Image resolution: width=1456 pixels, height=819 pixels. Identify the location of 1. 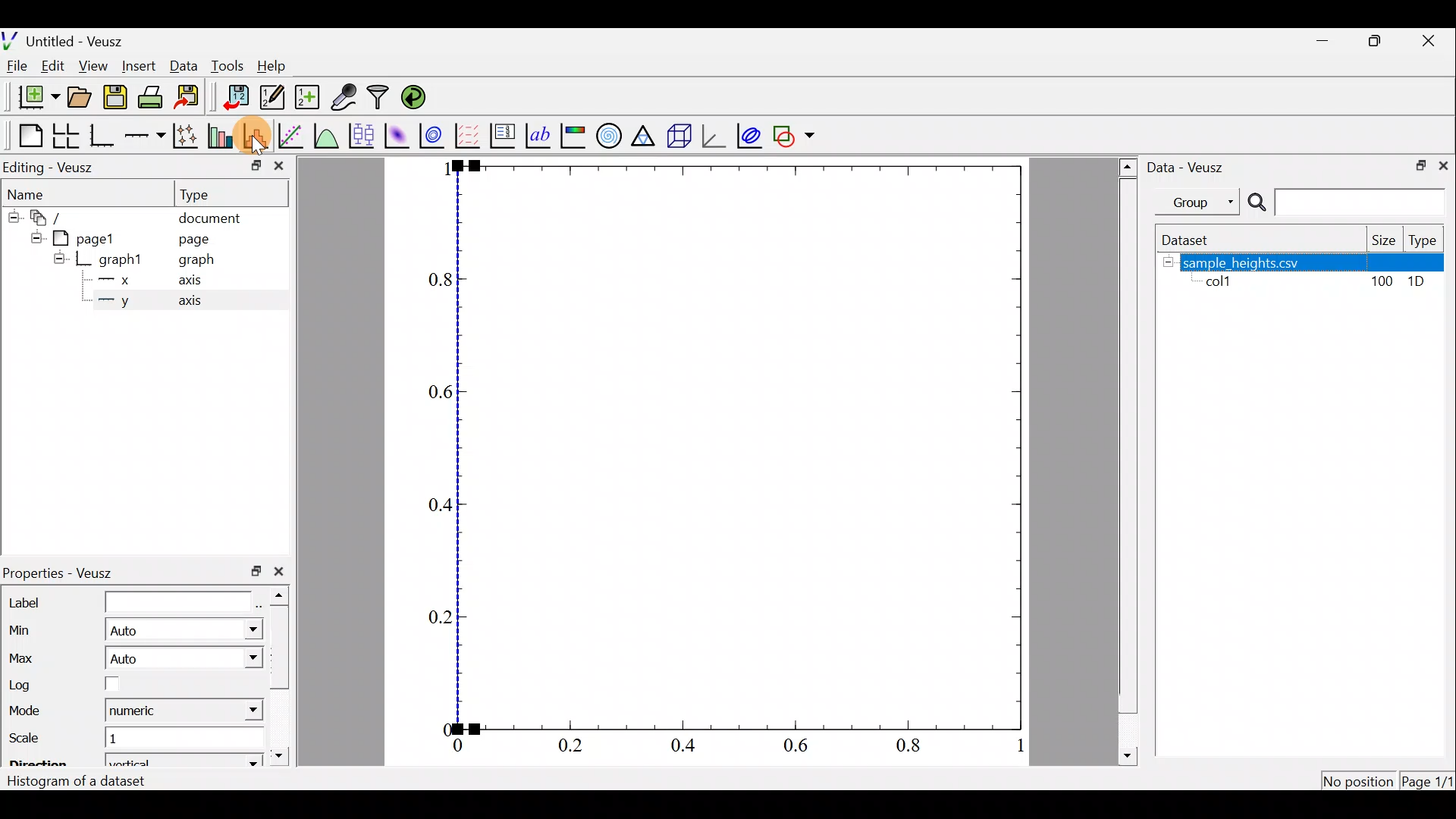
(1010, 745).